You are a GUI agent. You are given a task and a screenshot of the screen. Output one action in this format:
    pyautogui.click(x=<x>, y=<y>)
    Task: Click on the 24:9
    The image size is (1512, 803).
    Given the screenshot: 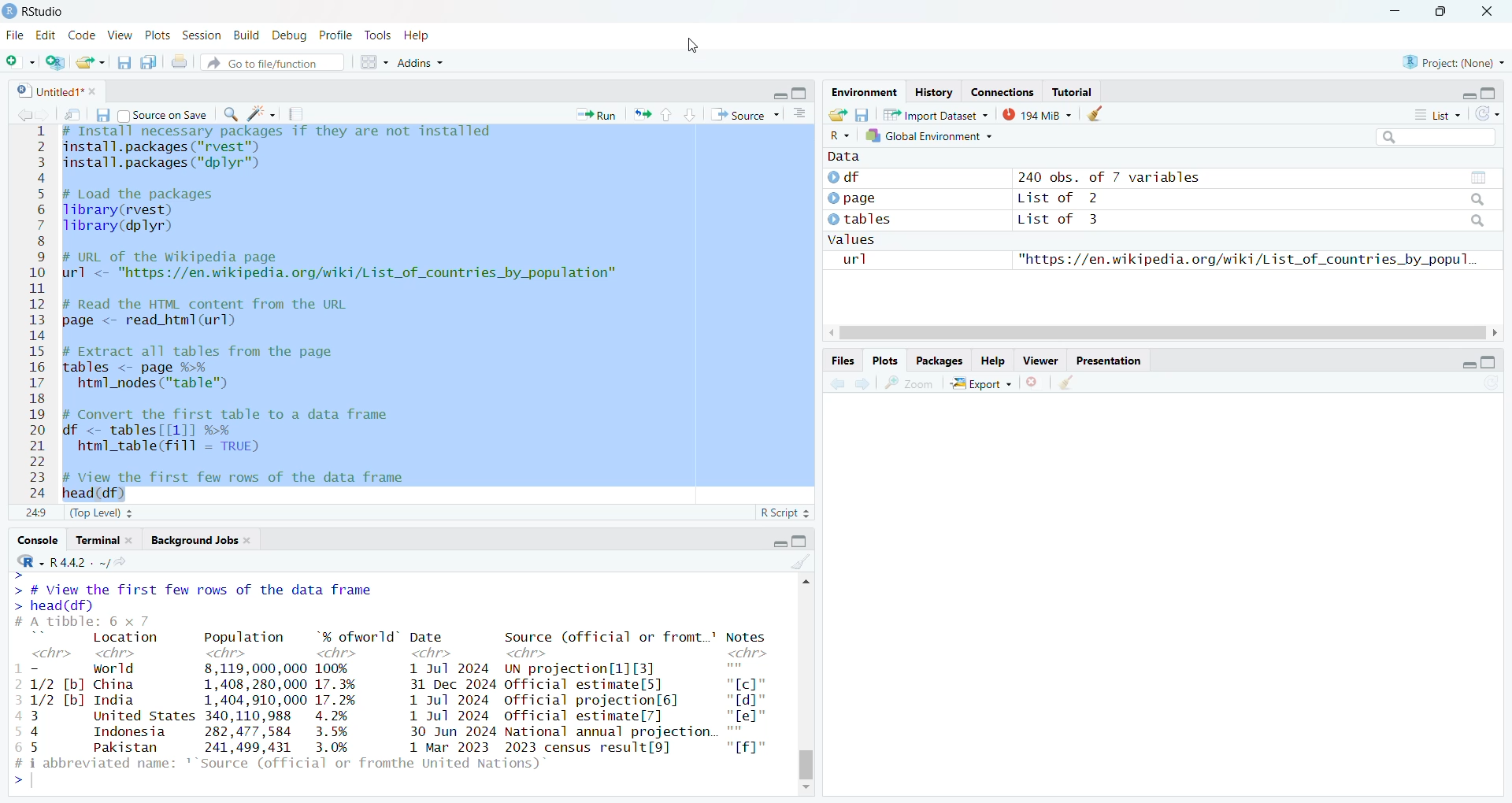 What is the action you would take?
    pyautogui.click(x=36, y=512)
    